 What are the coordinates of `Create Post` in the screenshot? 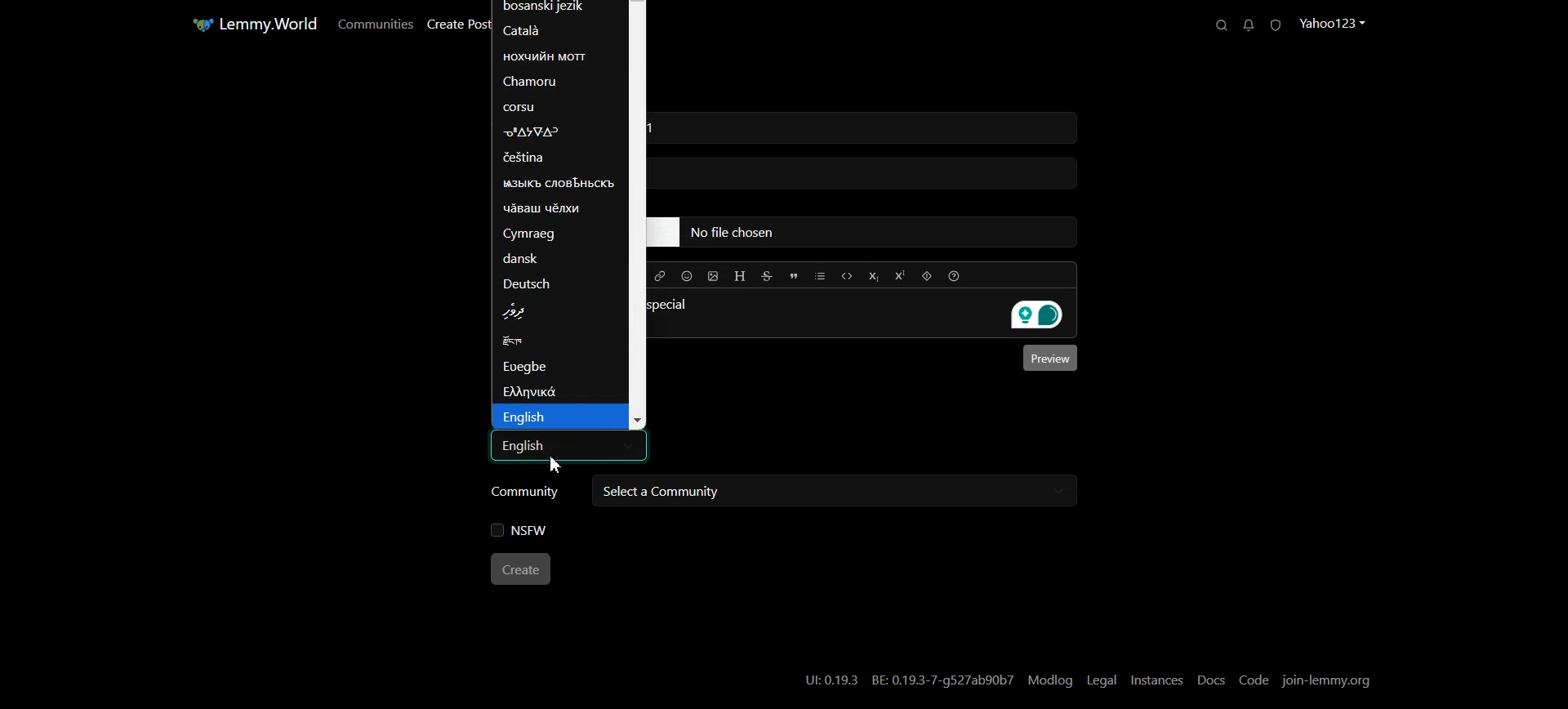 It's located at (455, 25).